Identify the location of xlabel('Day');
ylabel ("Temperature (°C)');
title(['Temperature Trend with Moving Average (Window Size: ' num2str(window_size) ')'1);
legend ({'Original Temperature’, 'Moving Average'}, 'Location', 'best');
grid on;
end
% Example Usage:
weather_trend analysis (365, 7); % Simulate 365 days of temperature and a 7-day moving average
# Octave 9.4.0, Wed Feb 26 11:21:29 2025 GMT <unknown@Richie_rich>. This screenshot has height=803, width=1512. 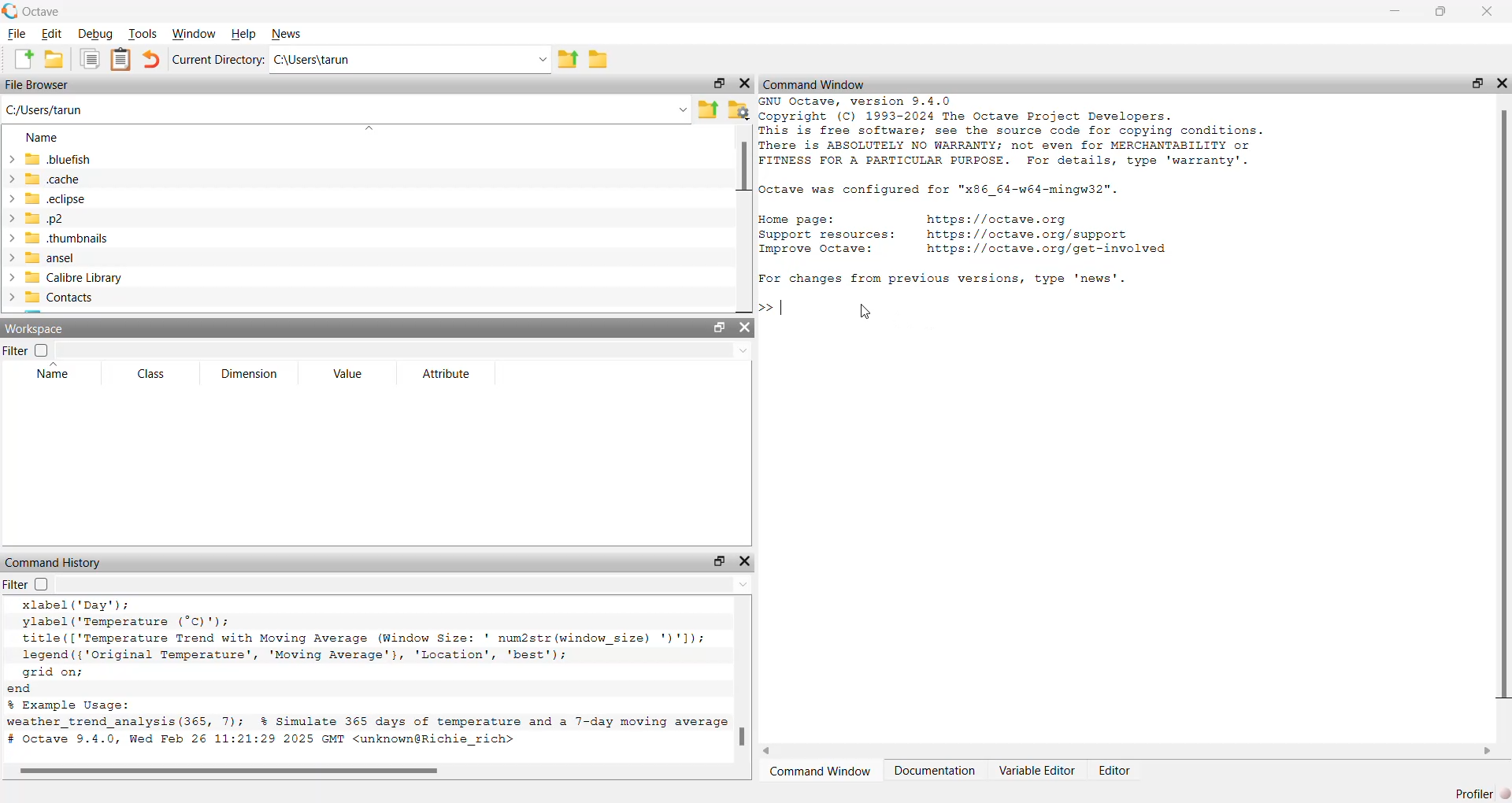
(370, 679).